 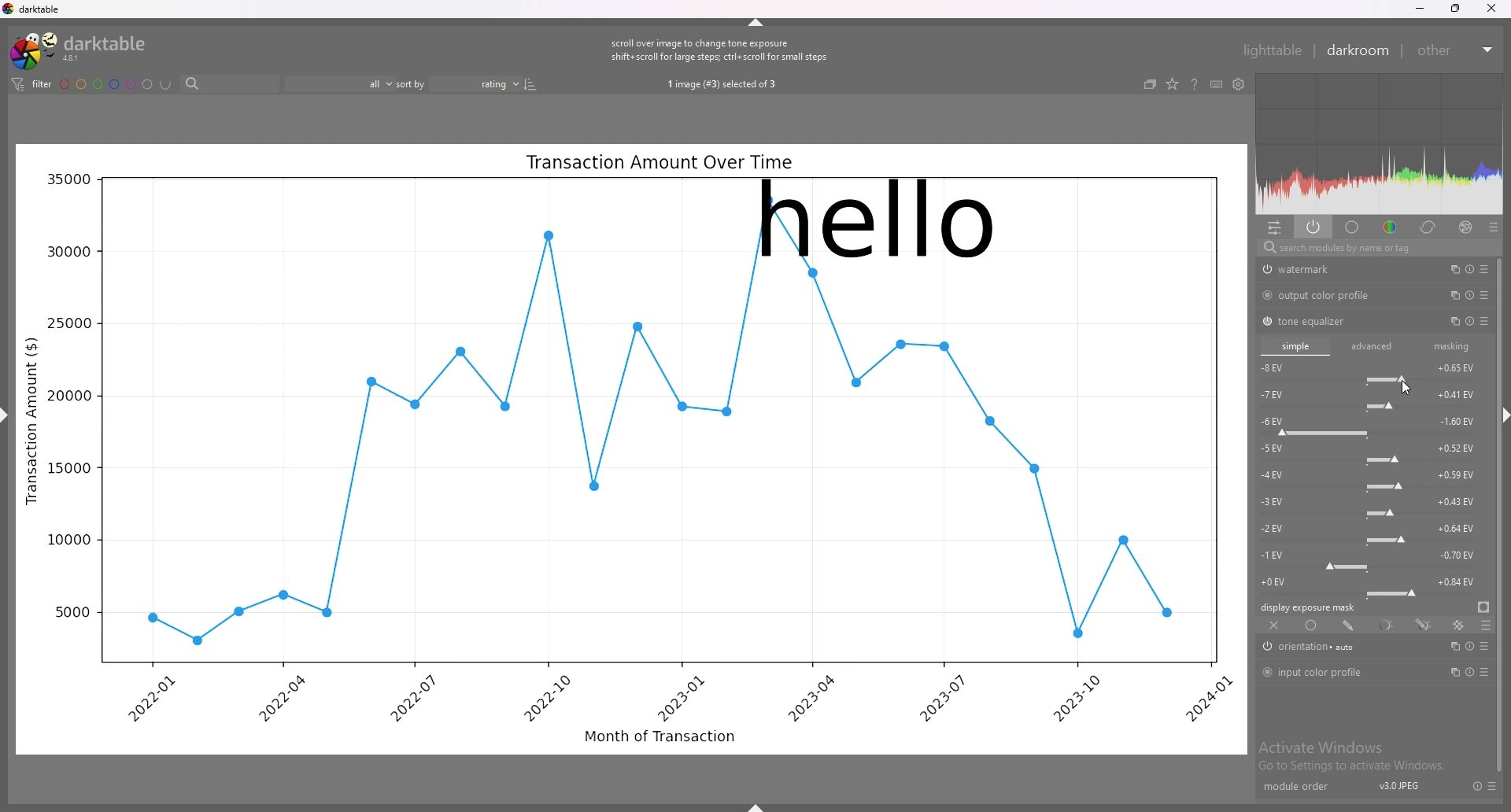 What do you see at coordinates (1429, 227) in the screenshot?
I see `correct` at bounding box center [1429, 227].